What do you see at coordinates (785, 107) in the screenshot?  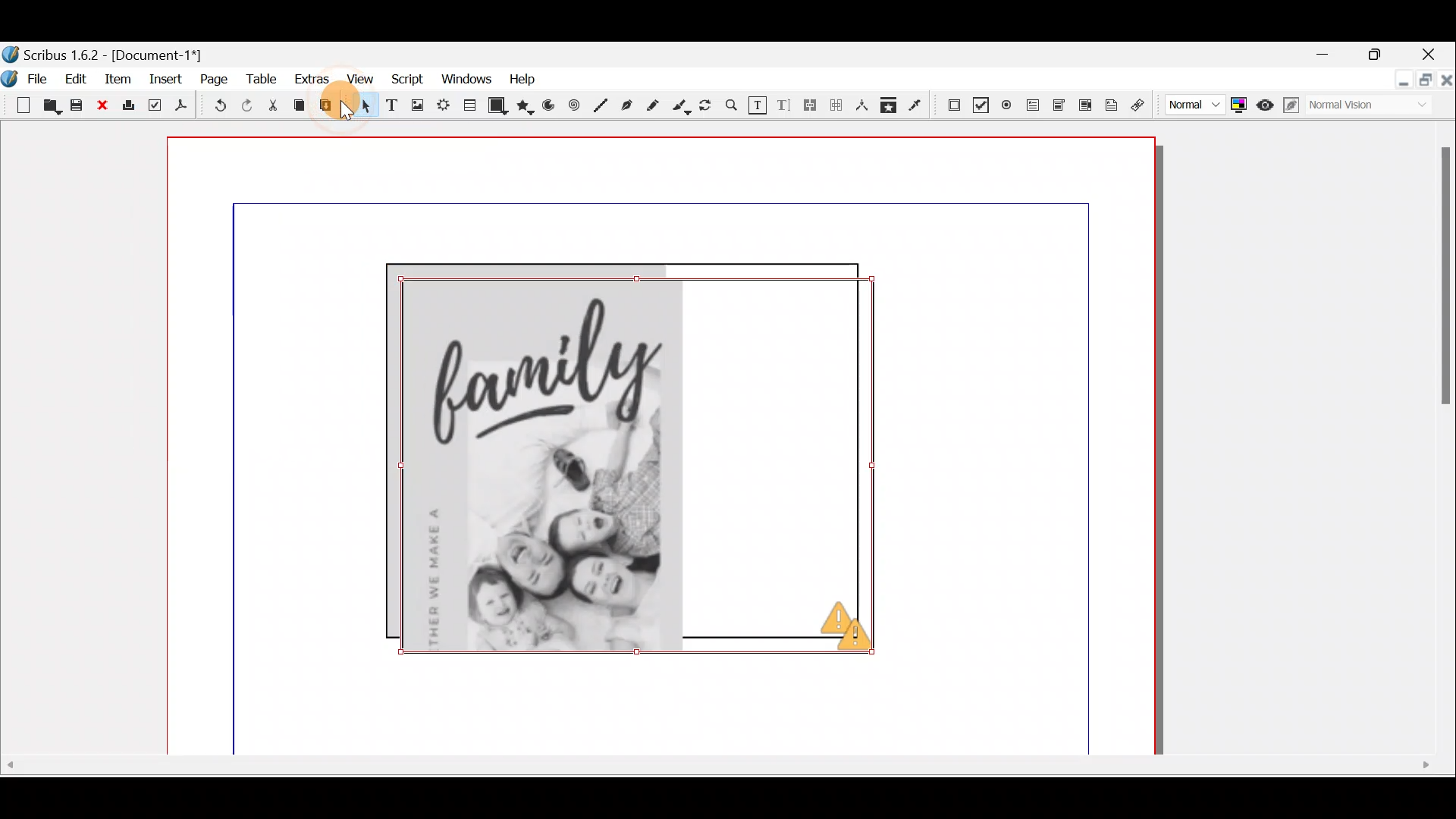 I see `Edit text with story editor` at bounding box center [785, 107].